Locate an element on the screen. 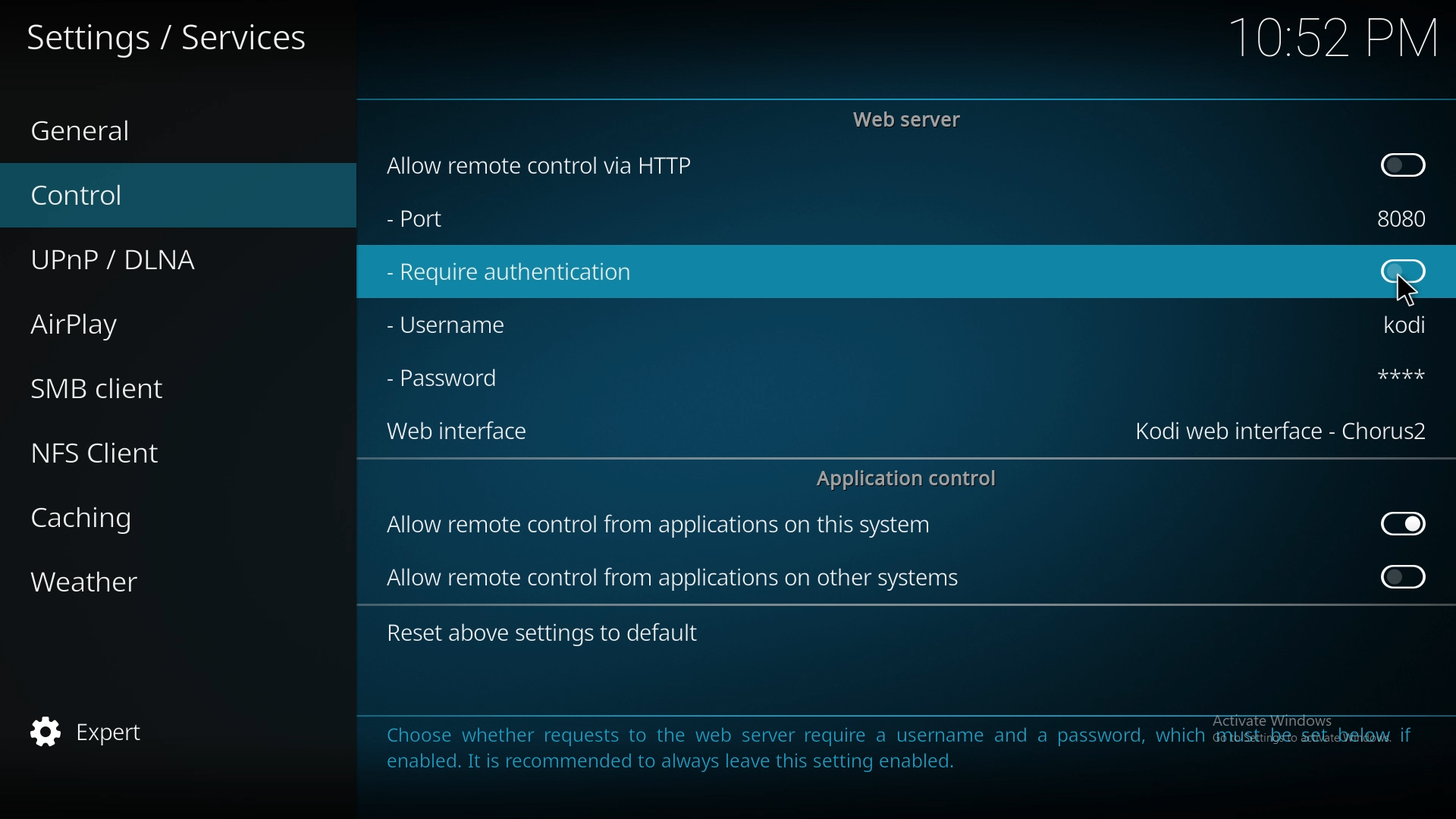 This screenshot has height=819, width=1456. username is located at coordinates (1409, 327).